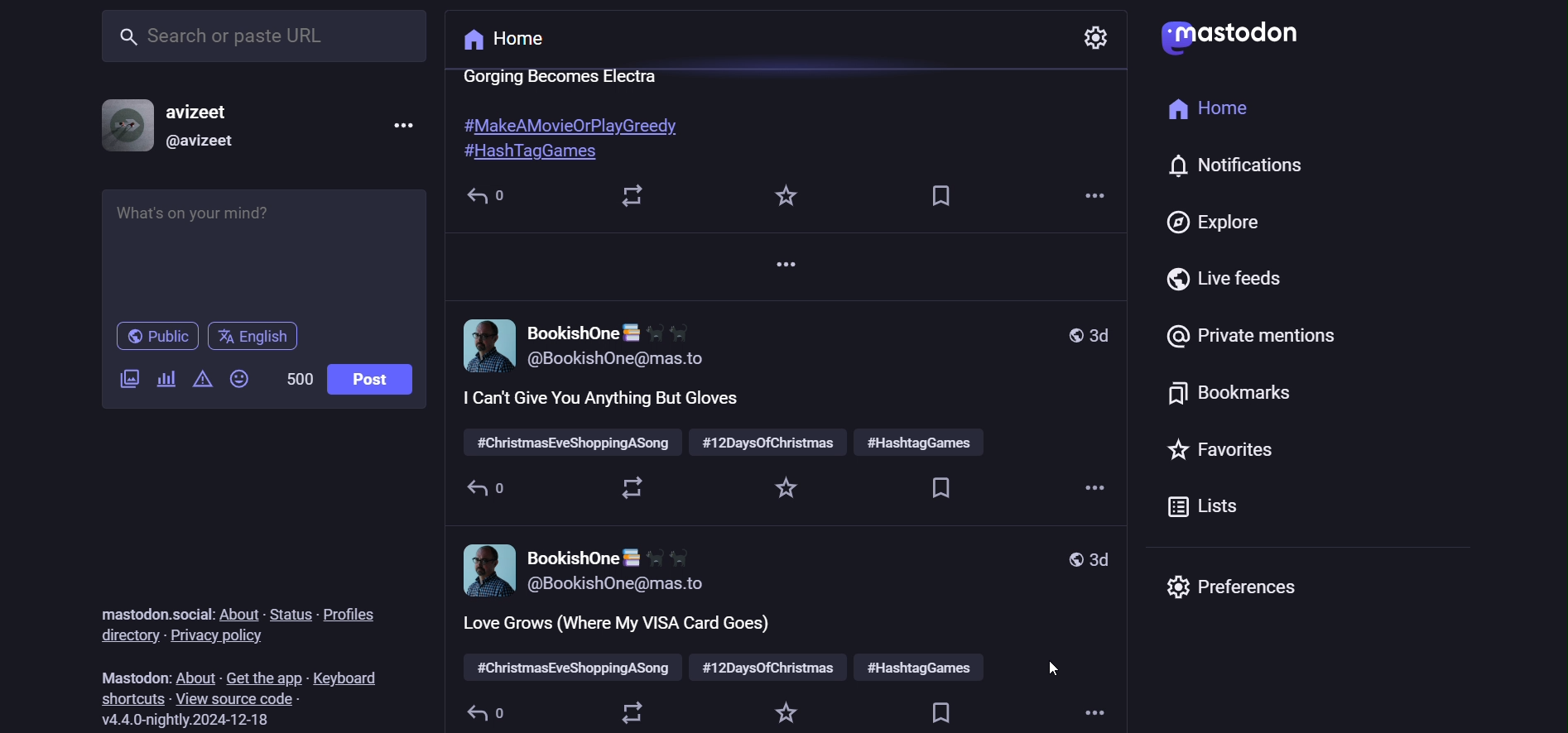  What do you see at coordinates (1255, 334) in the screenshot?
I see `private mention` at bounding box center [1255, 334].